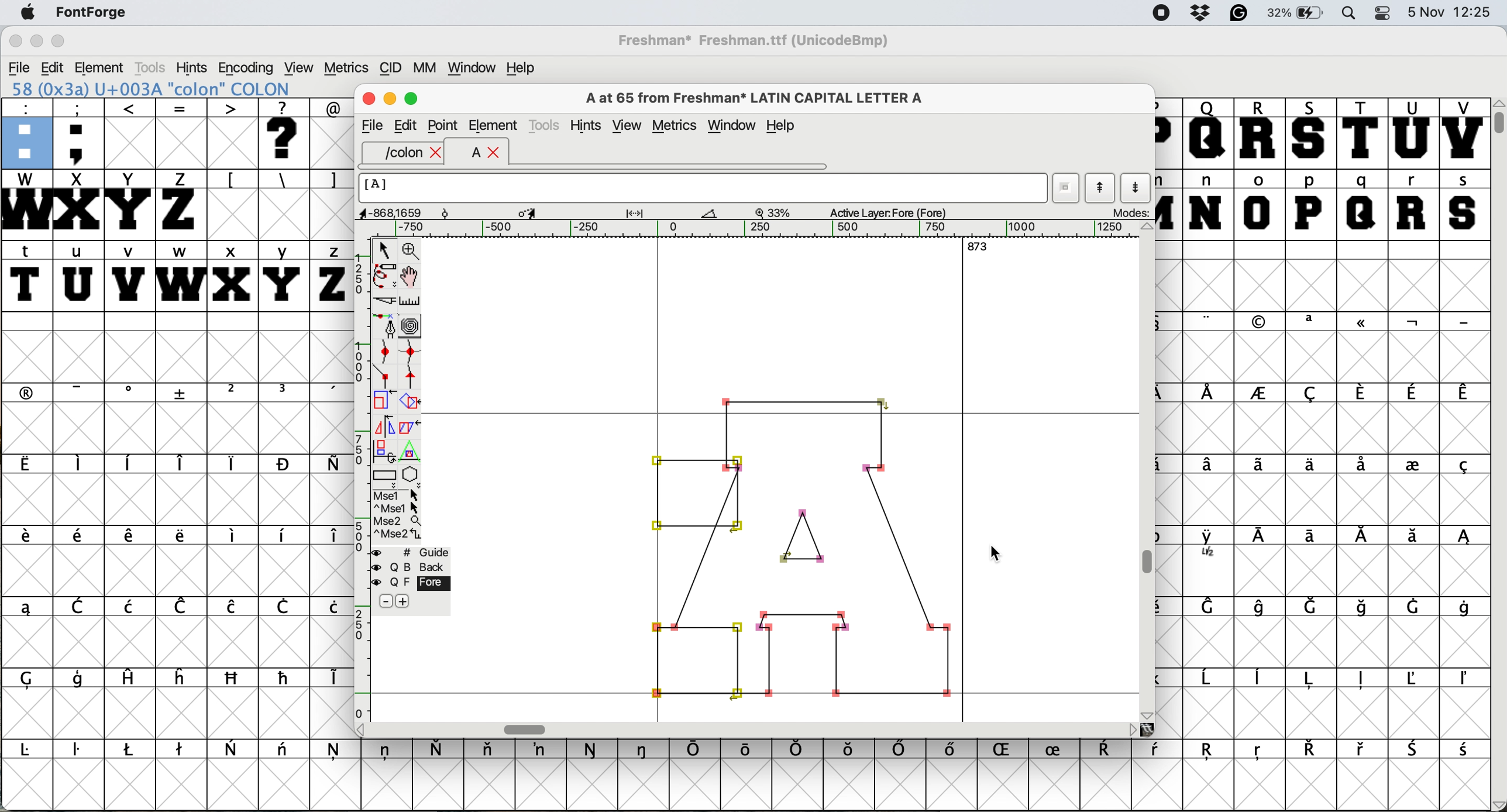 This screenshot has width=1507, height=812. I want to click on symbol, so click(1159, 751).